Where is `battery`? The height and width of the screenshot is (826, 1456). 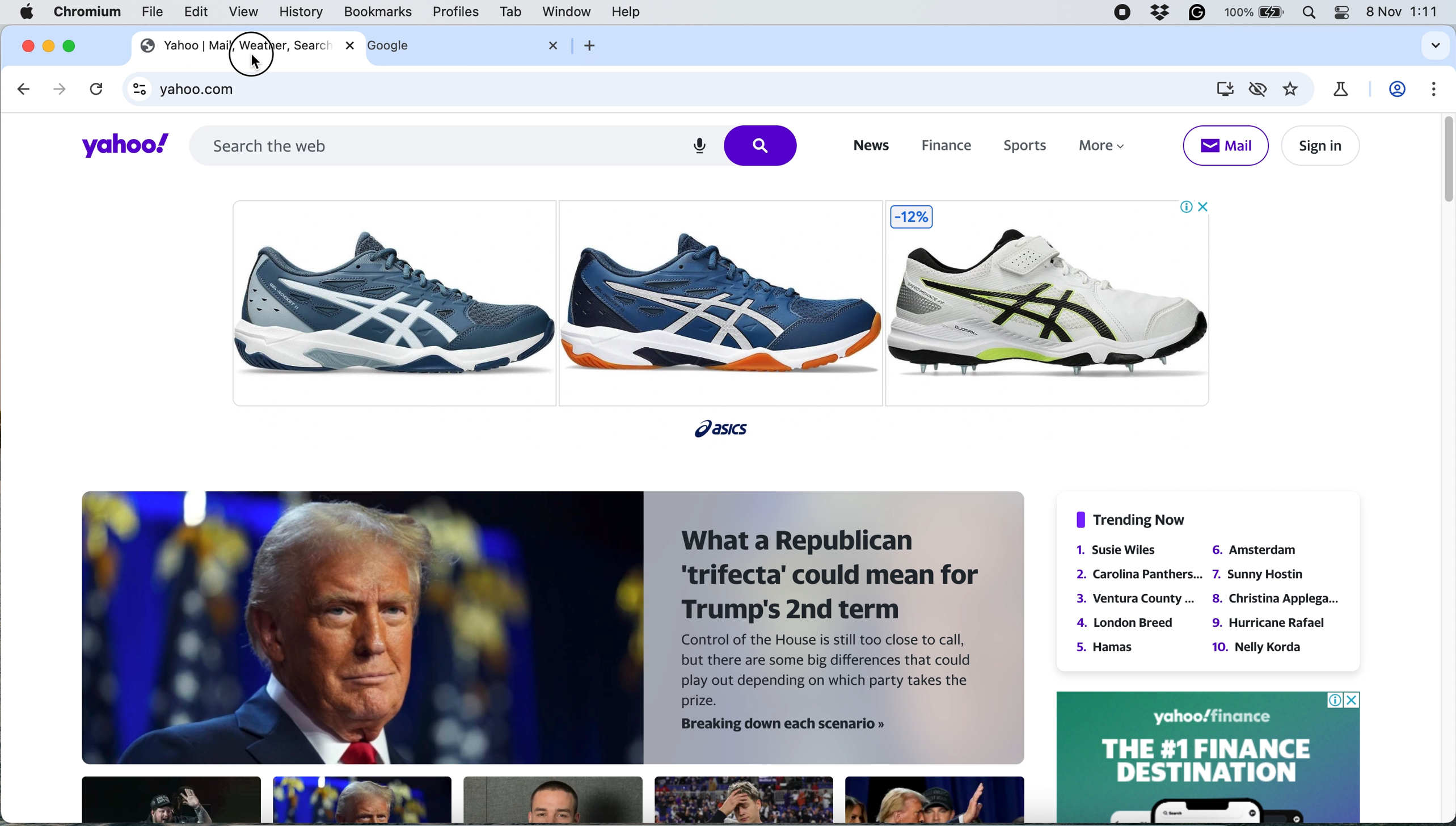
battery is located at coordinates (1256, 14).